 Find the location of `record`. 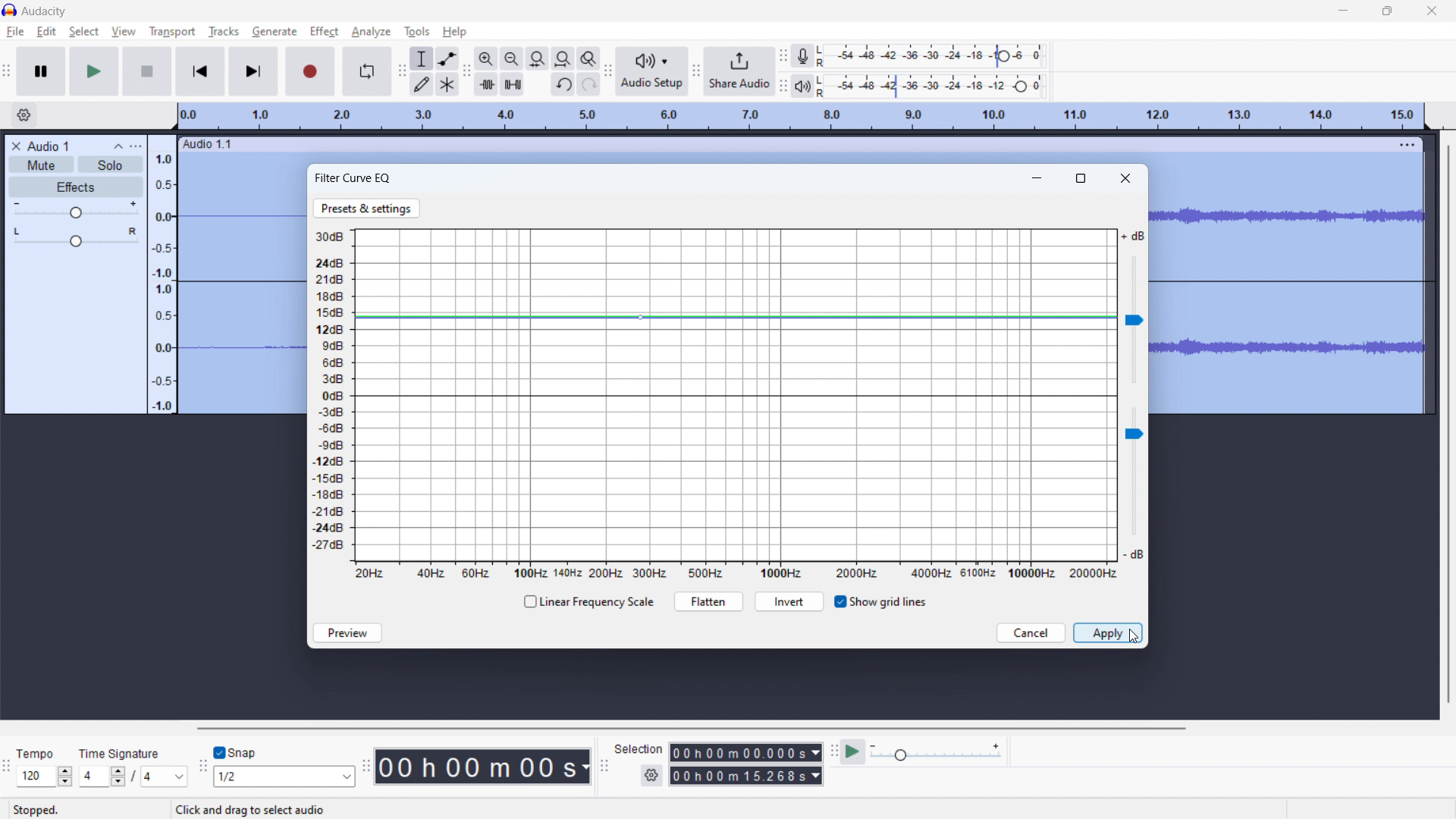

record is located at coordinates (311, 71).